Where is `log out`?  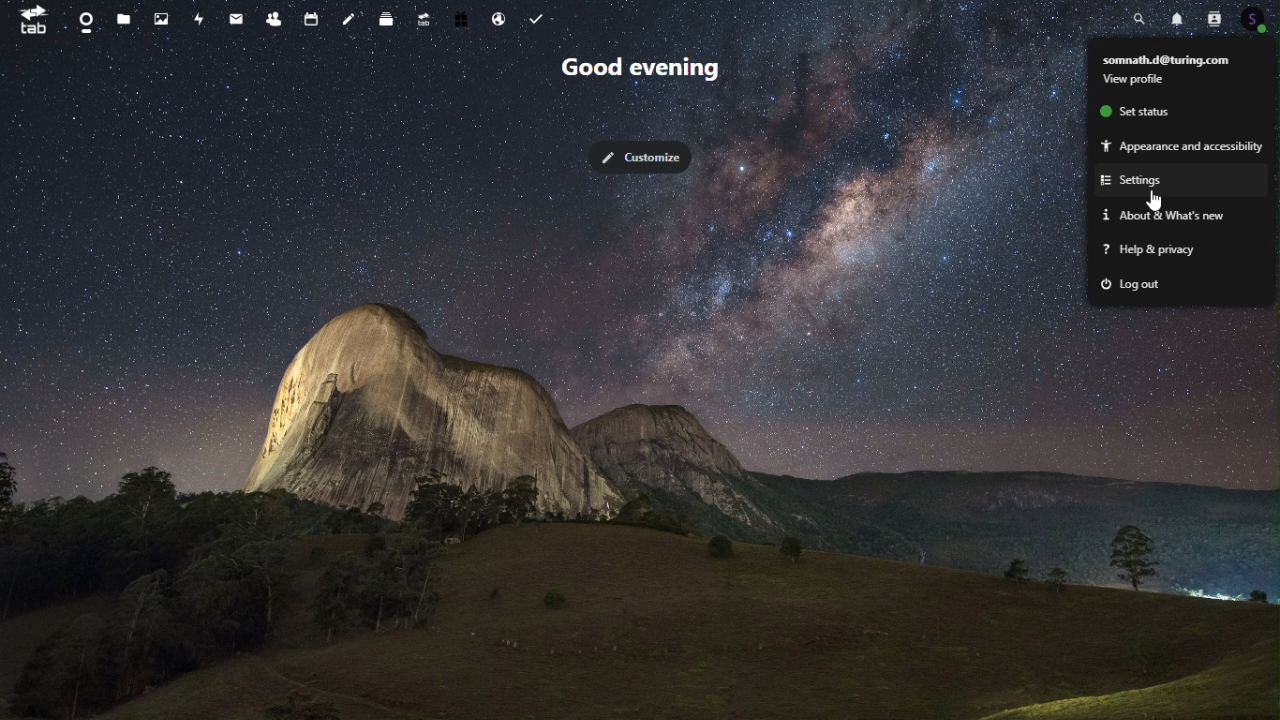 log out is located at coordinates (1175, 284).